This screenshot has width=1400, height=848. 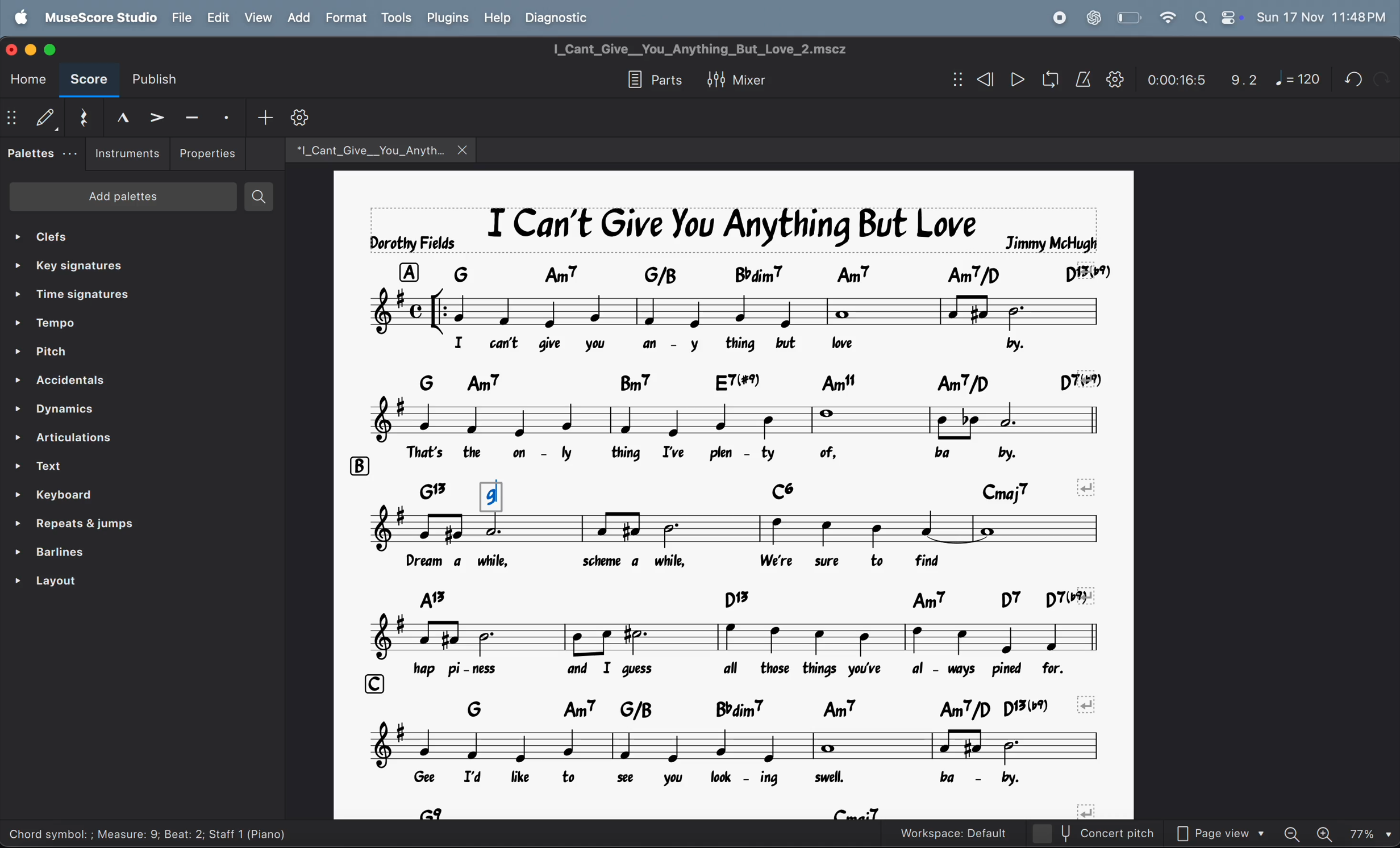 I want to click on reset, so click(x=84, y=119).